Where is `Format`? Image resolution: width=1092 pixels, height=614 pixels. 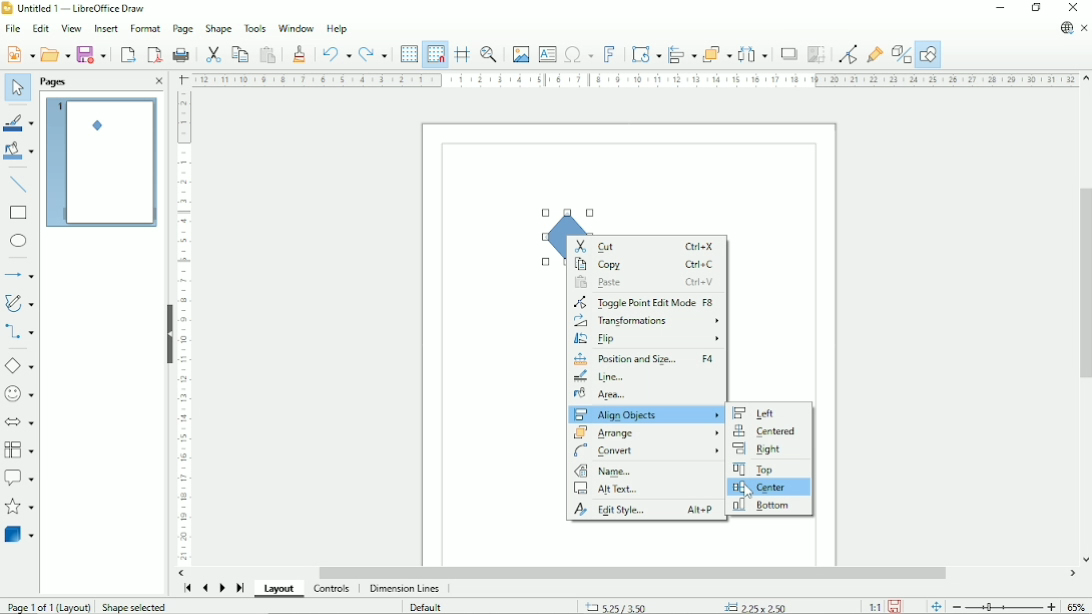
Format is located at coordinates (145, 29).